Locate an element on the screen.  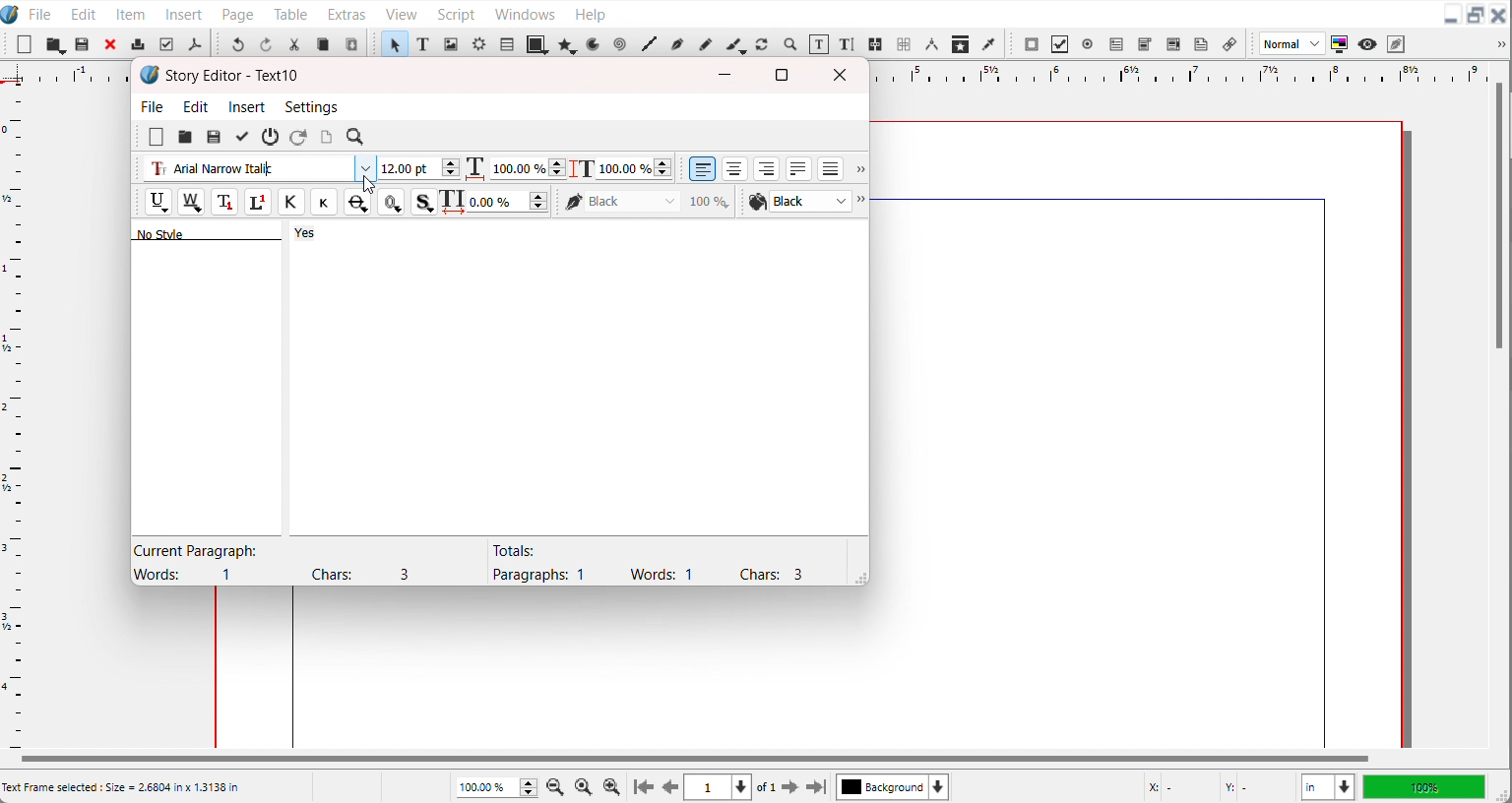
Copy is located at coordinates (323, 44).